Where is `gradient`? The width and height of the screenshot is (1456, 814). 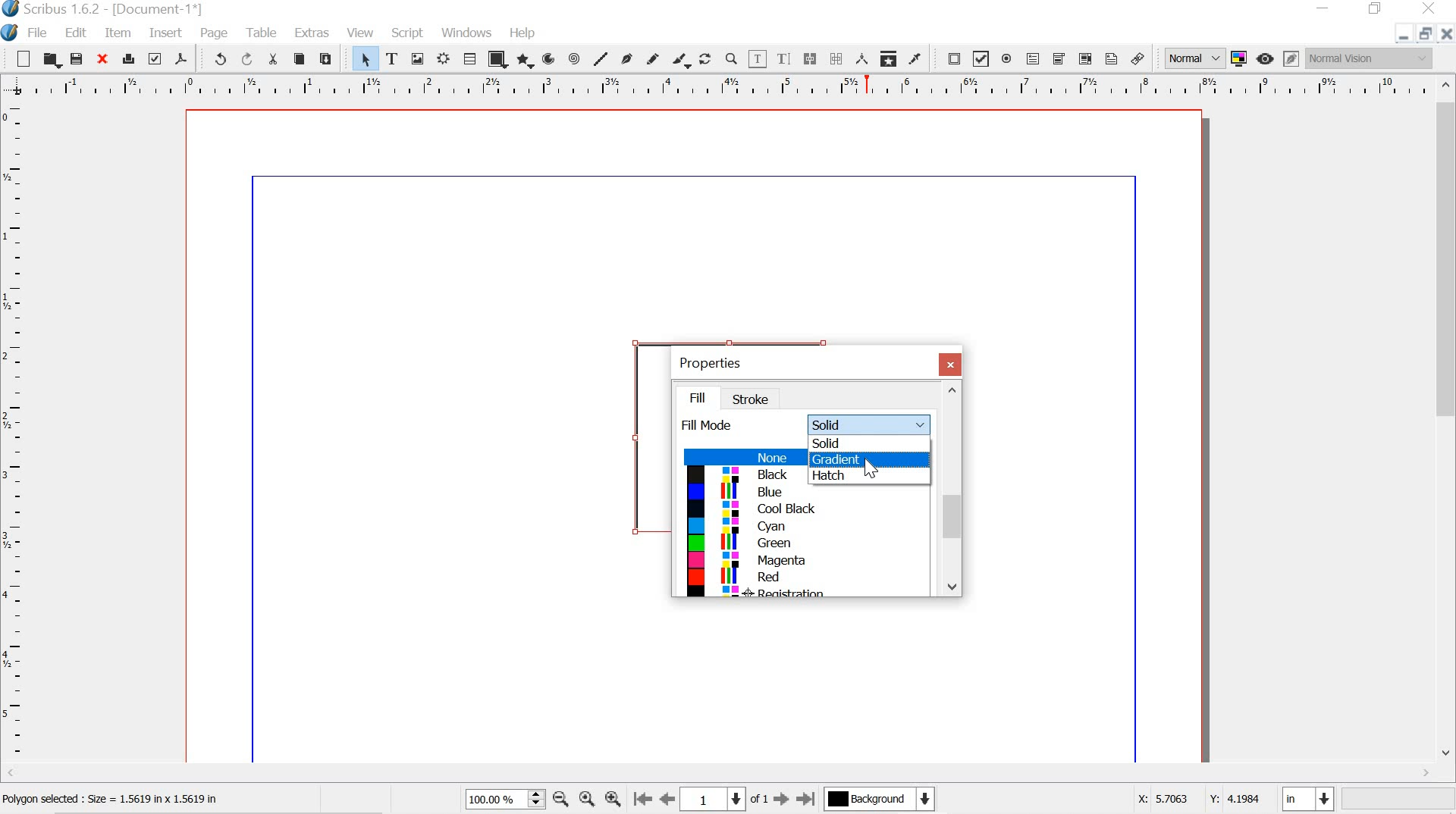
gradient is located at coordinates (861, 461).